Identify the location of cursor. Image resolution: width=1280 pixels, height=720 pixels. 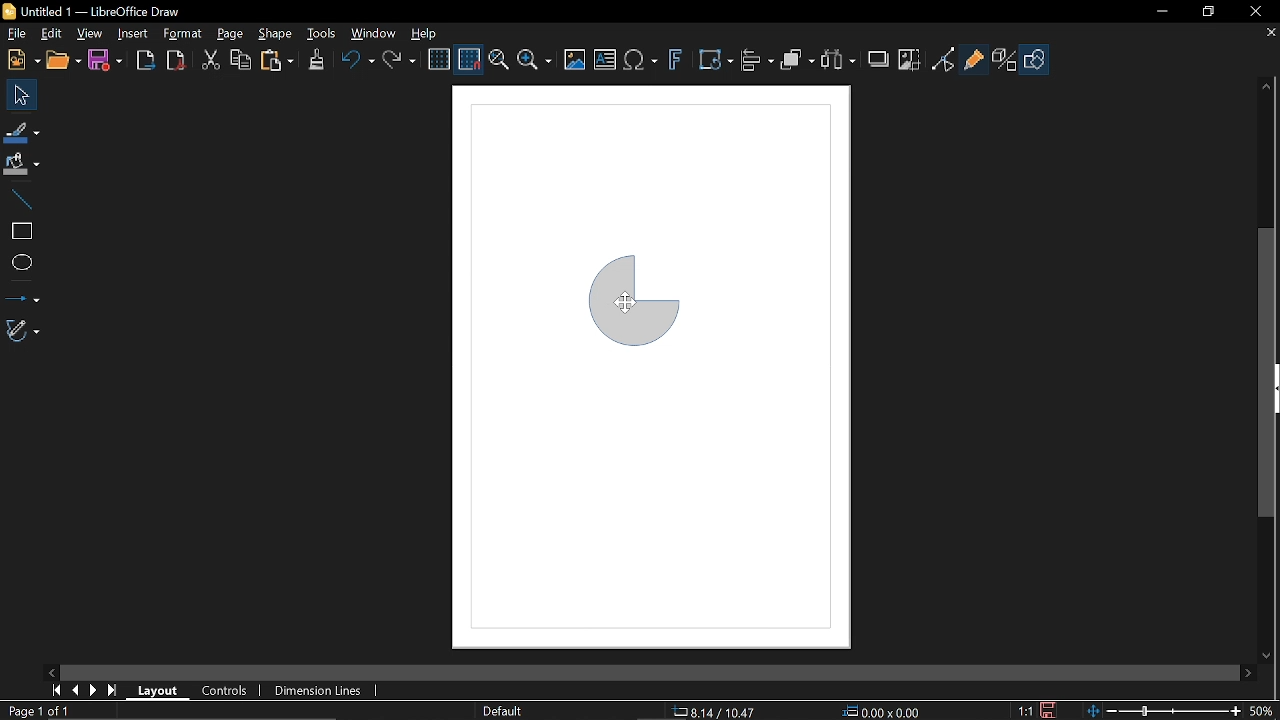
(626, 301).